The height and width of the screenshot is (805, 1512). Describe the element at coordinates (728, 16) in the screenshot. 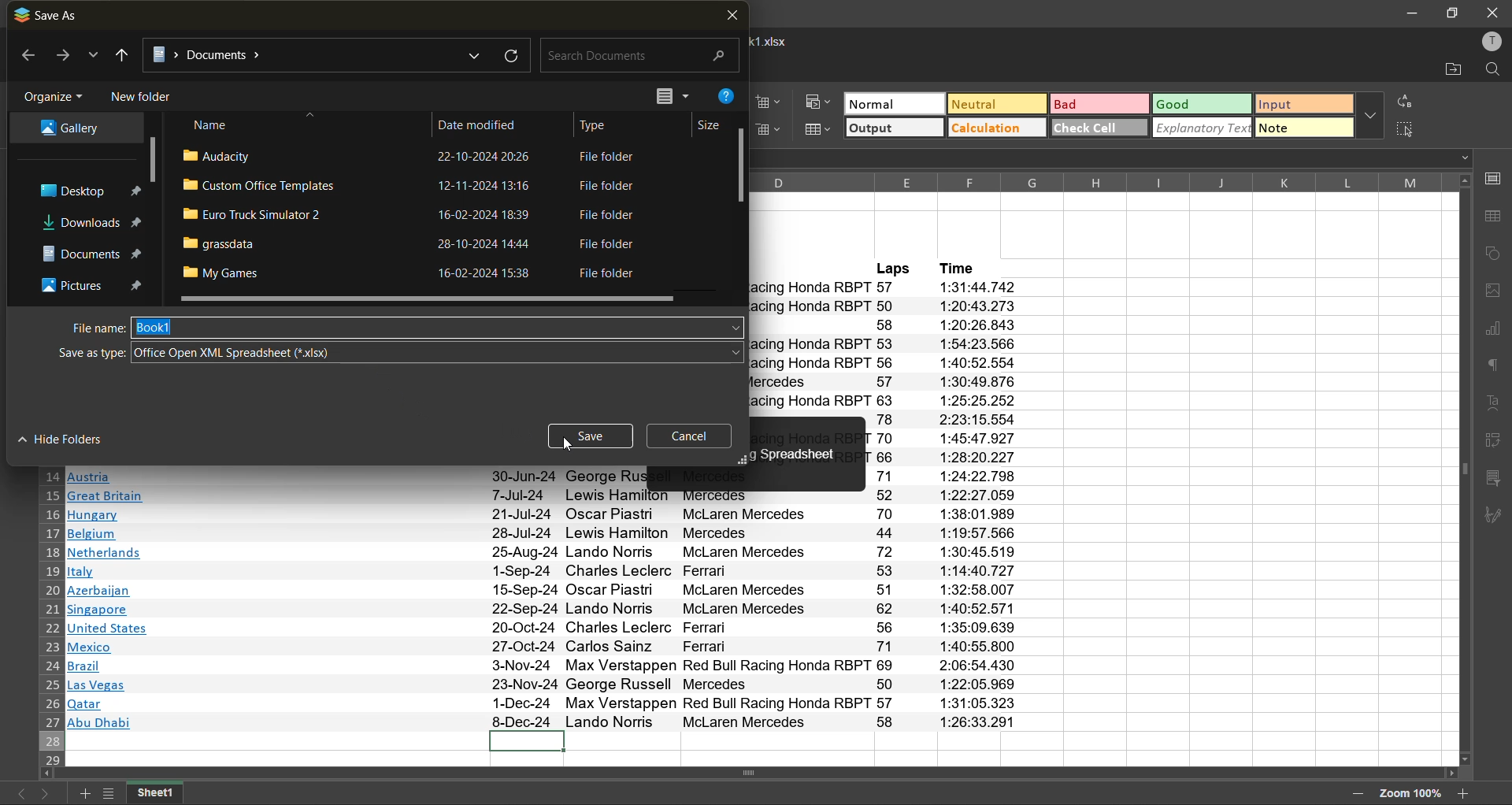

I see `close` at that location.